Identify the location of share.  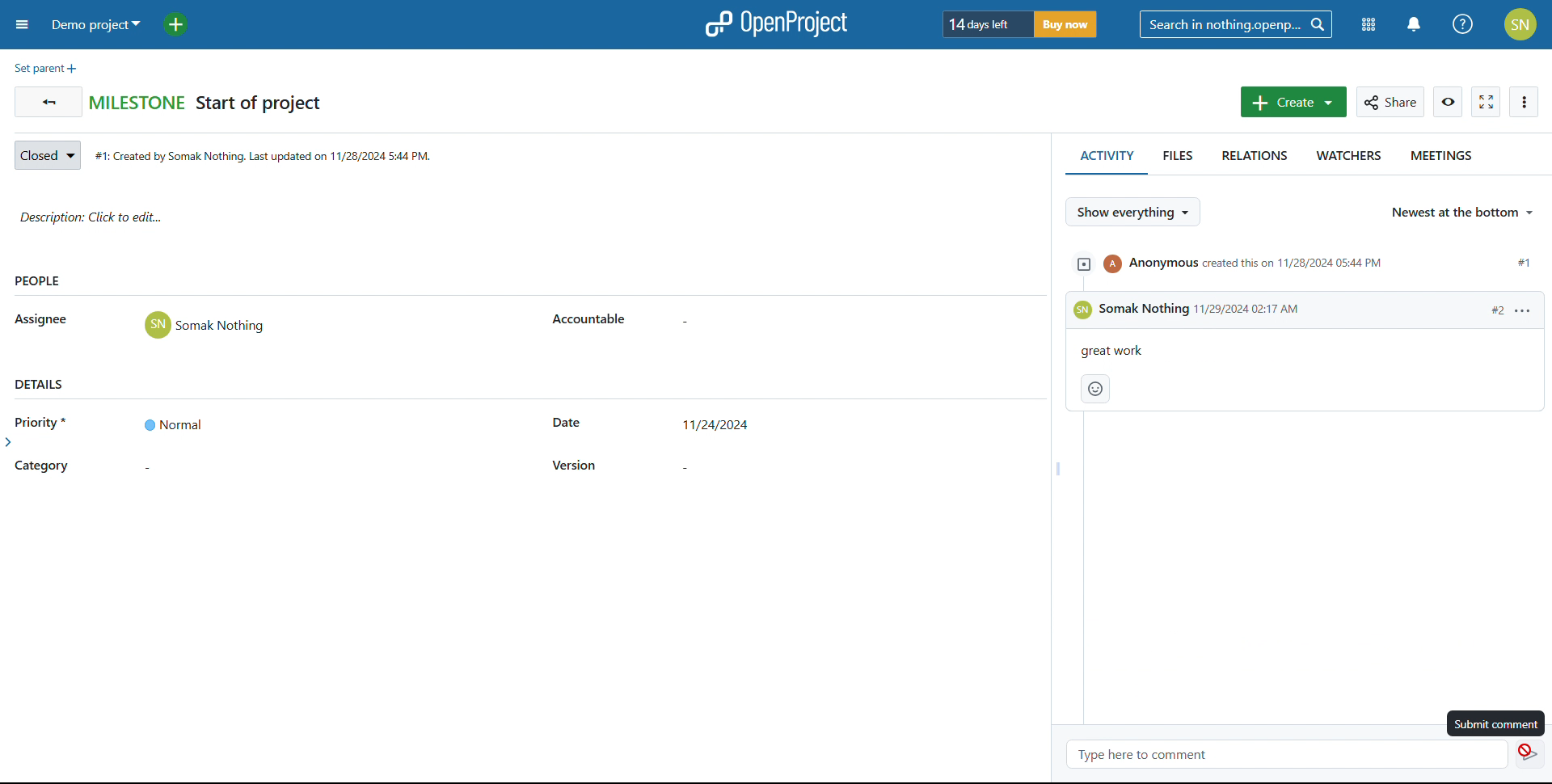
(1390, 103).